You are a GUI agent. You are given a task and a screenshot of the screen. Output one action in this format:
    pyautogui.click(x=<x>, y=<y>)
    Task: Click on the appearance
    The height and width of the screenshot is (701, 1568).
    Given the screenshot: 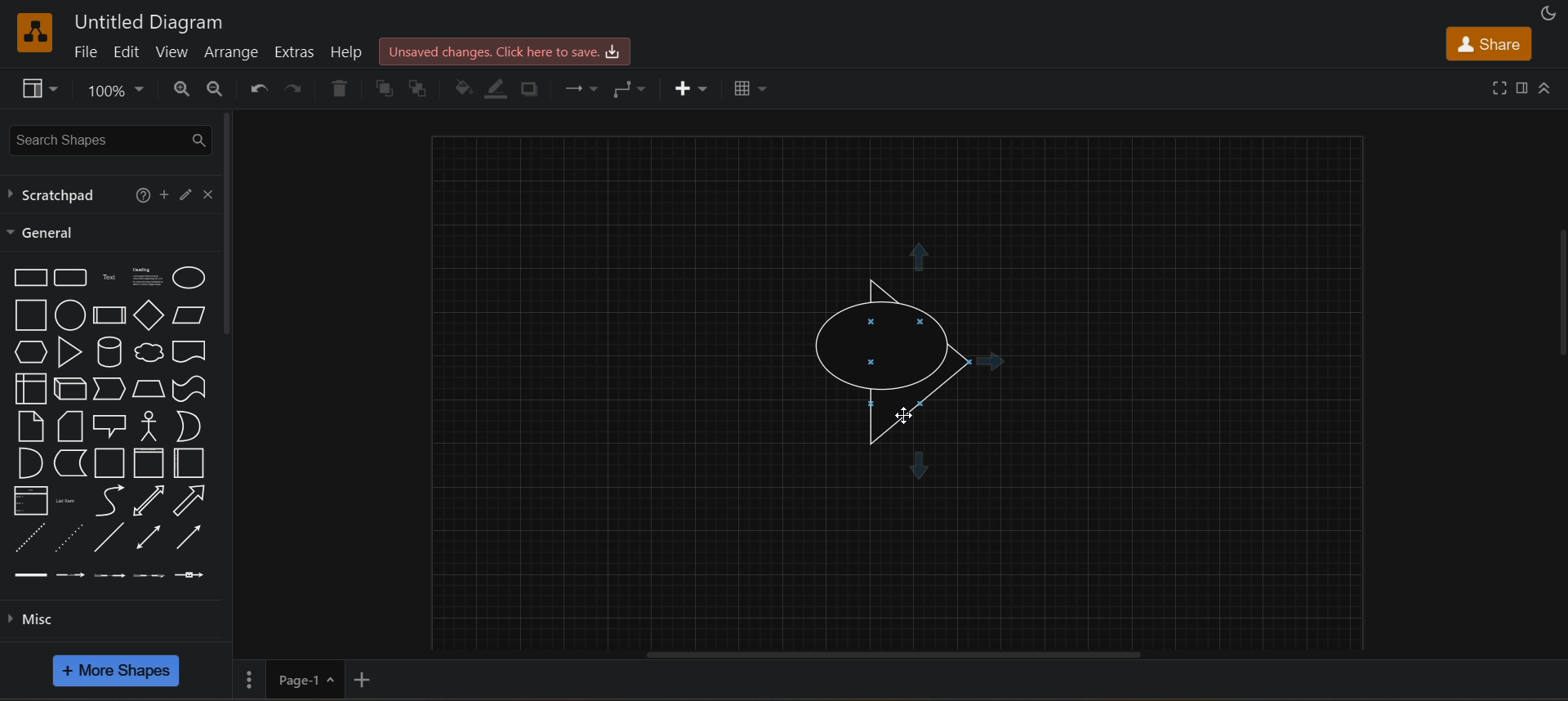 What is the action you would take?
    pyautogui.click(x=1551, y=11)
    